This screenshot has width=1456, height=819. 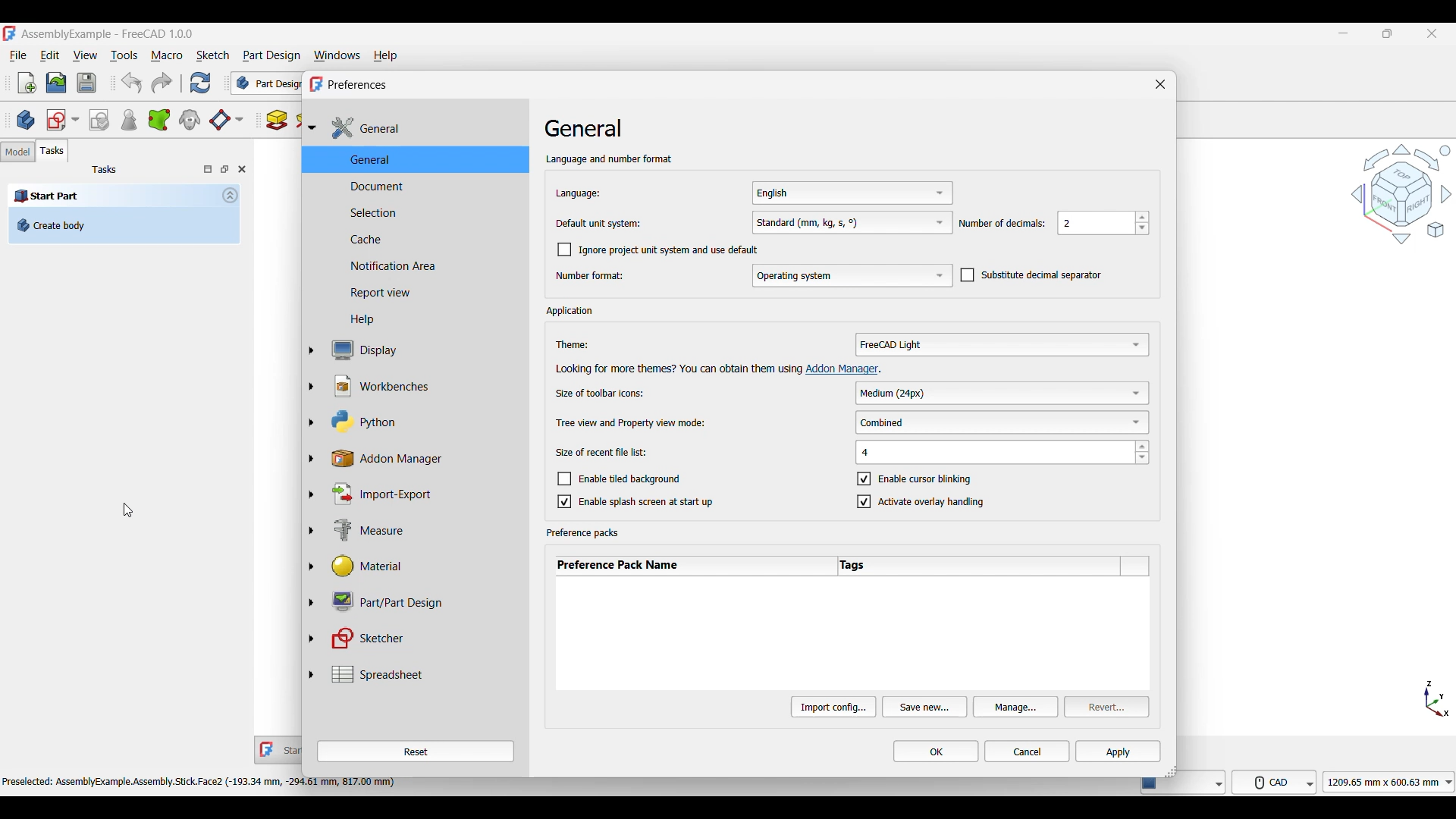 What do you see at coordinates (421, 293) in the screenshot?
I see `Report view` at bounding box center [421, 293].